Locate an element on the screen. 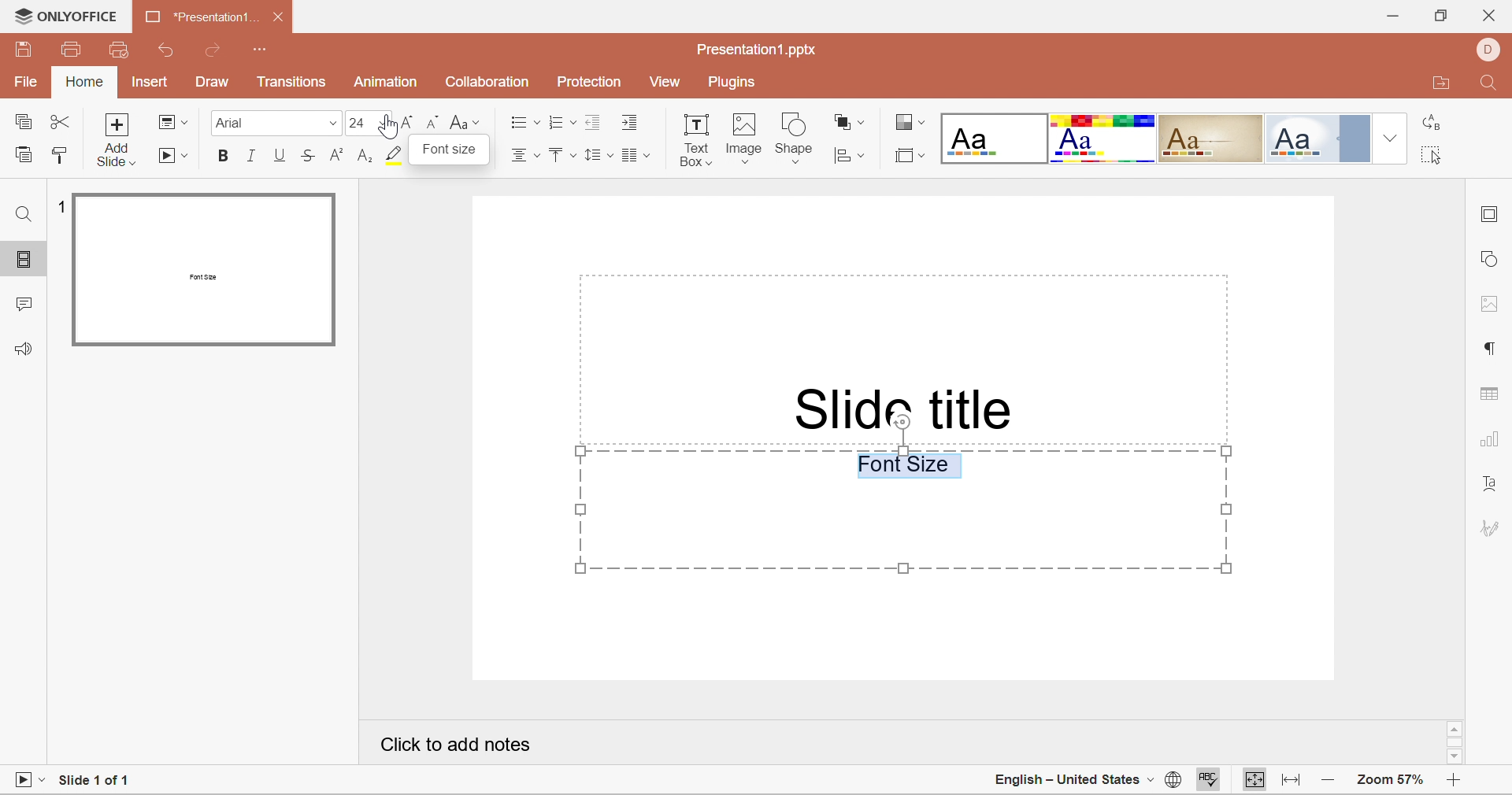 Image resolution: width=1512 pixels, height=795 pixels. Increase Indent is located at coordinates (632, 124).